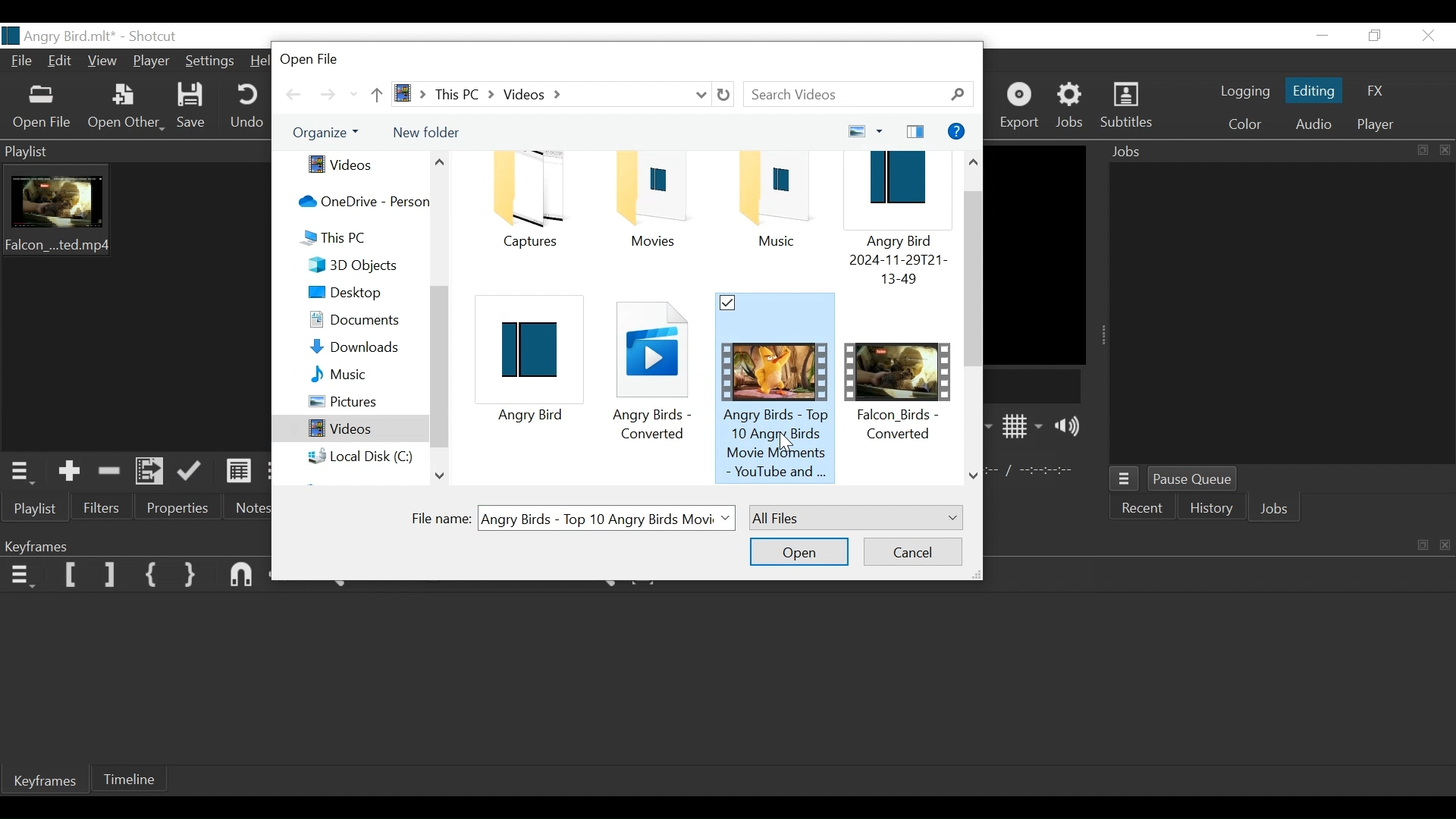  I want to click on Playlist, so click(39, 508).